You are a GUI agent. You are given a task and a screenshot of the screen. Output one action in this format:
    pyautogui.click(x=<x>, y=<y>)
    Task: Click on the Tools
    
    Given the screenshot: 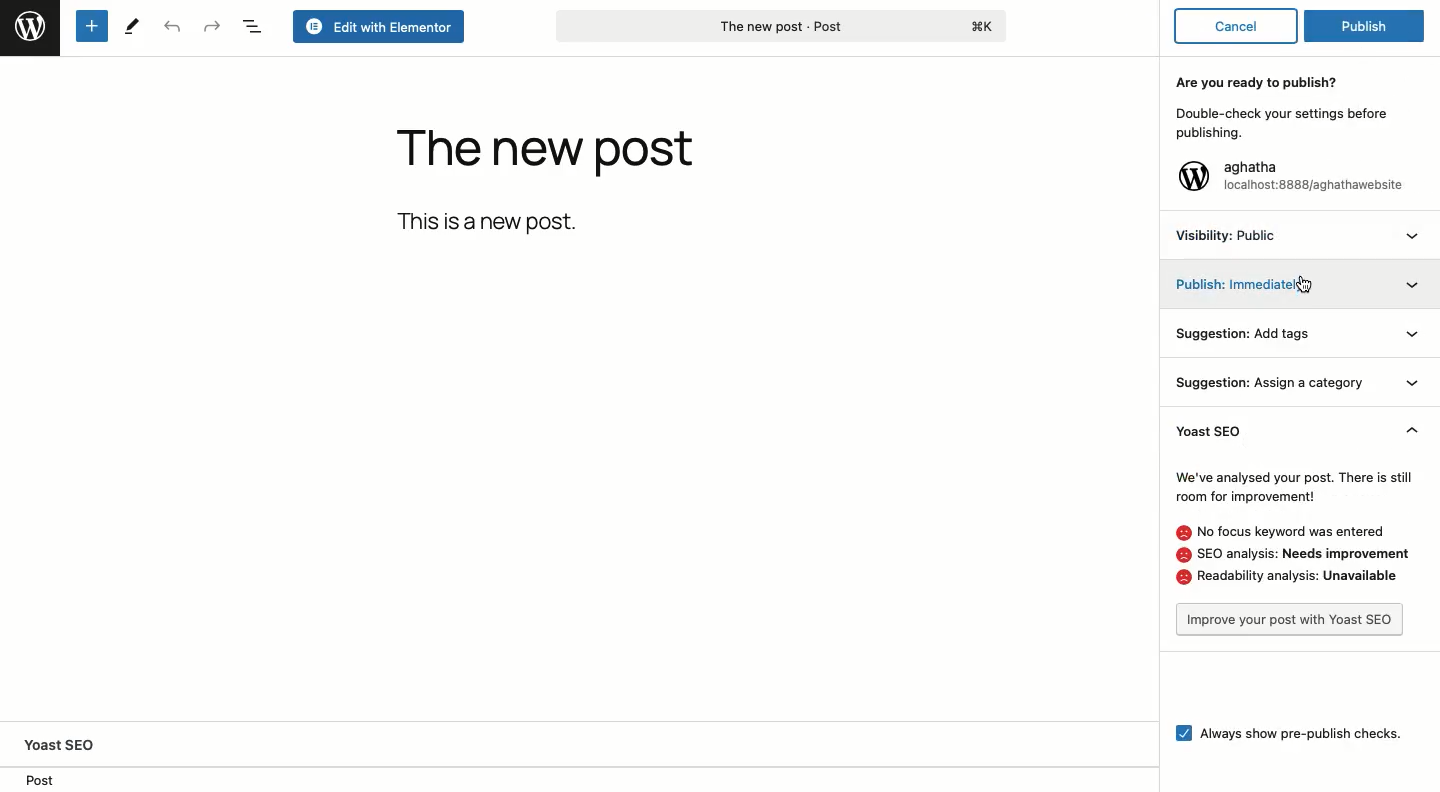 What is the action you would take?
    pyautogui.click(x=132, y=25)
    